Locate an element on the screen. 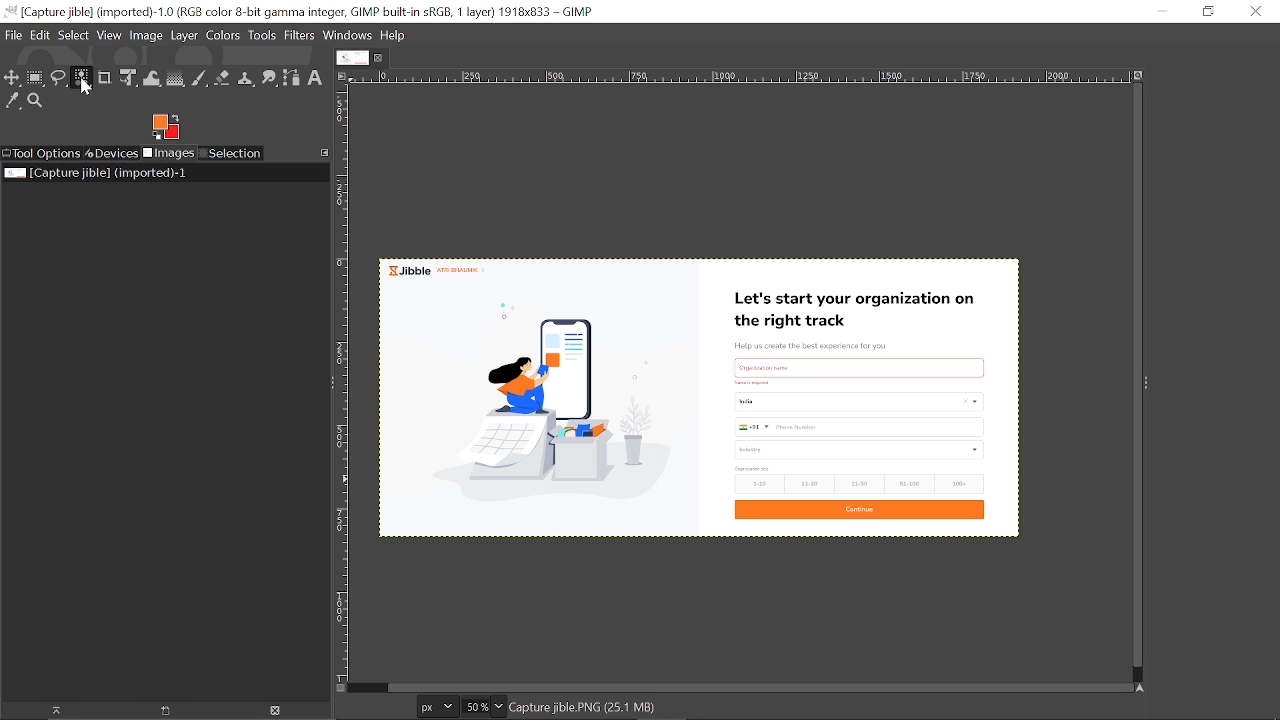 The image size is (1280, 720). Image is located at coordinates (147, 36).